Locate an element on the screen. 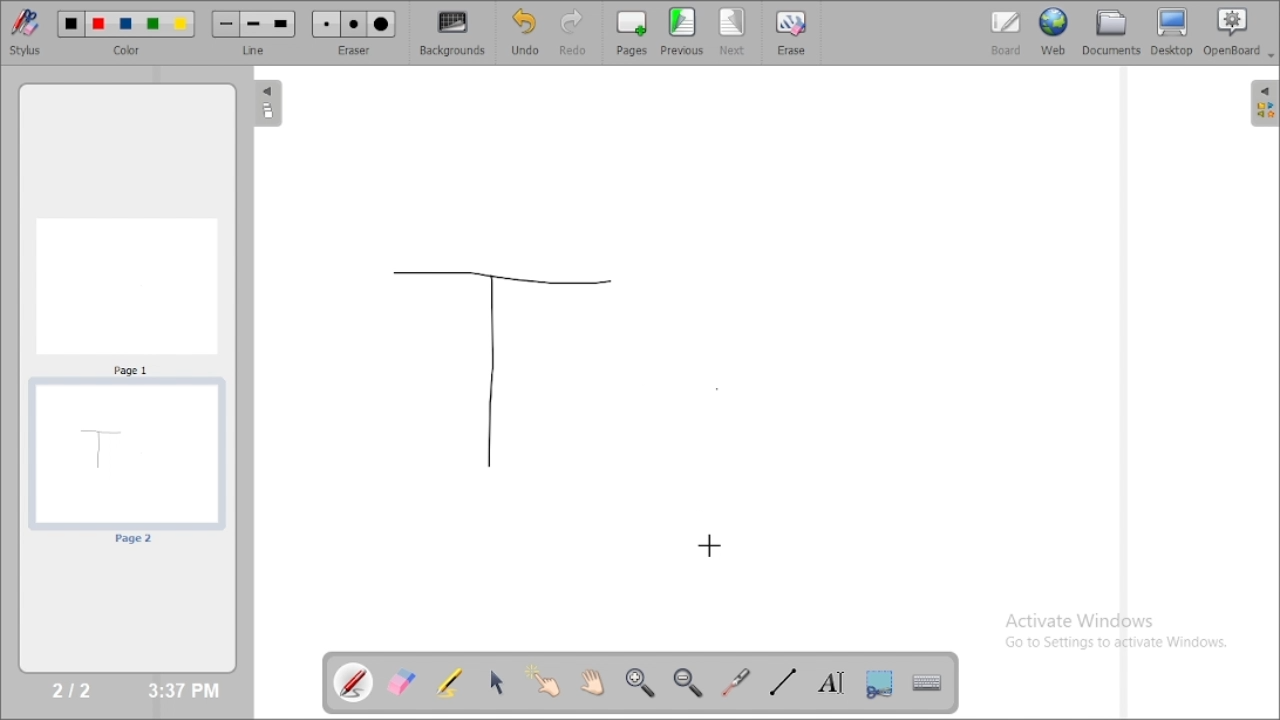 The image size is (1280, 720). 3:37 PM is located at coordinates (182, 691).